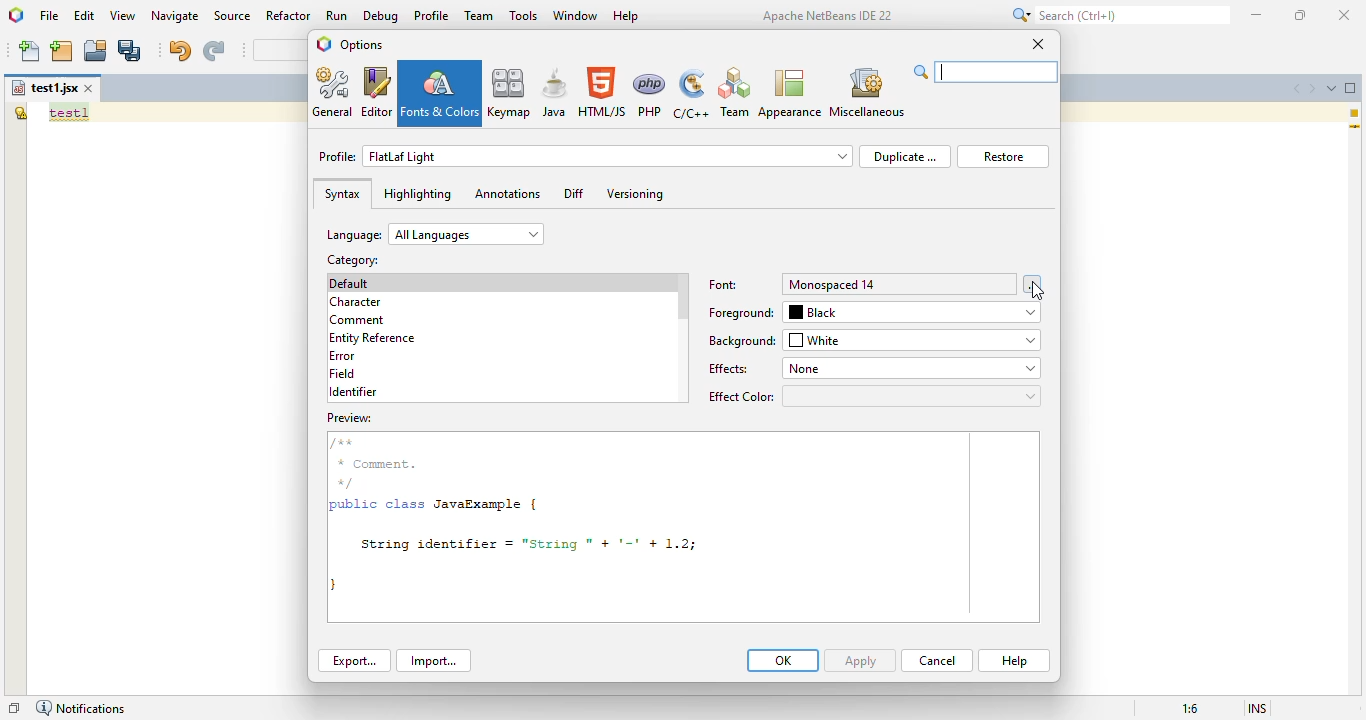 The image size is (1366, 720). What do you see at coordinates (359, 320) in the screenshot?
I see `comment` at bounding box center [359, 320].